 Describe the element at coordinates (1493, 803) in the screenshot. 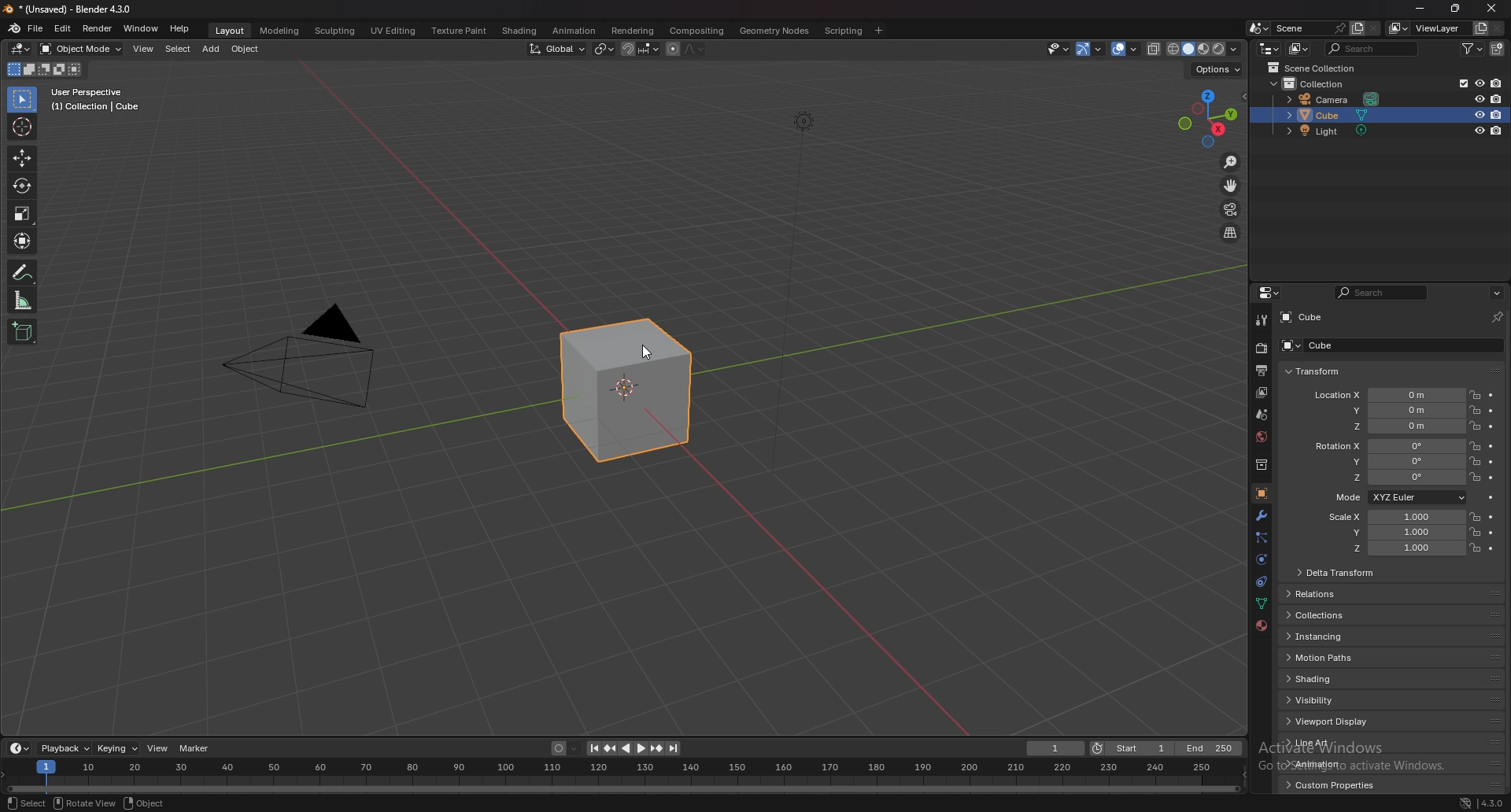

I see `version` at that location.